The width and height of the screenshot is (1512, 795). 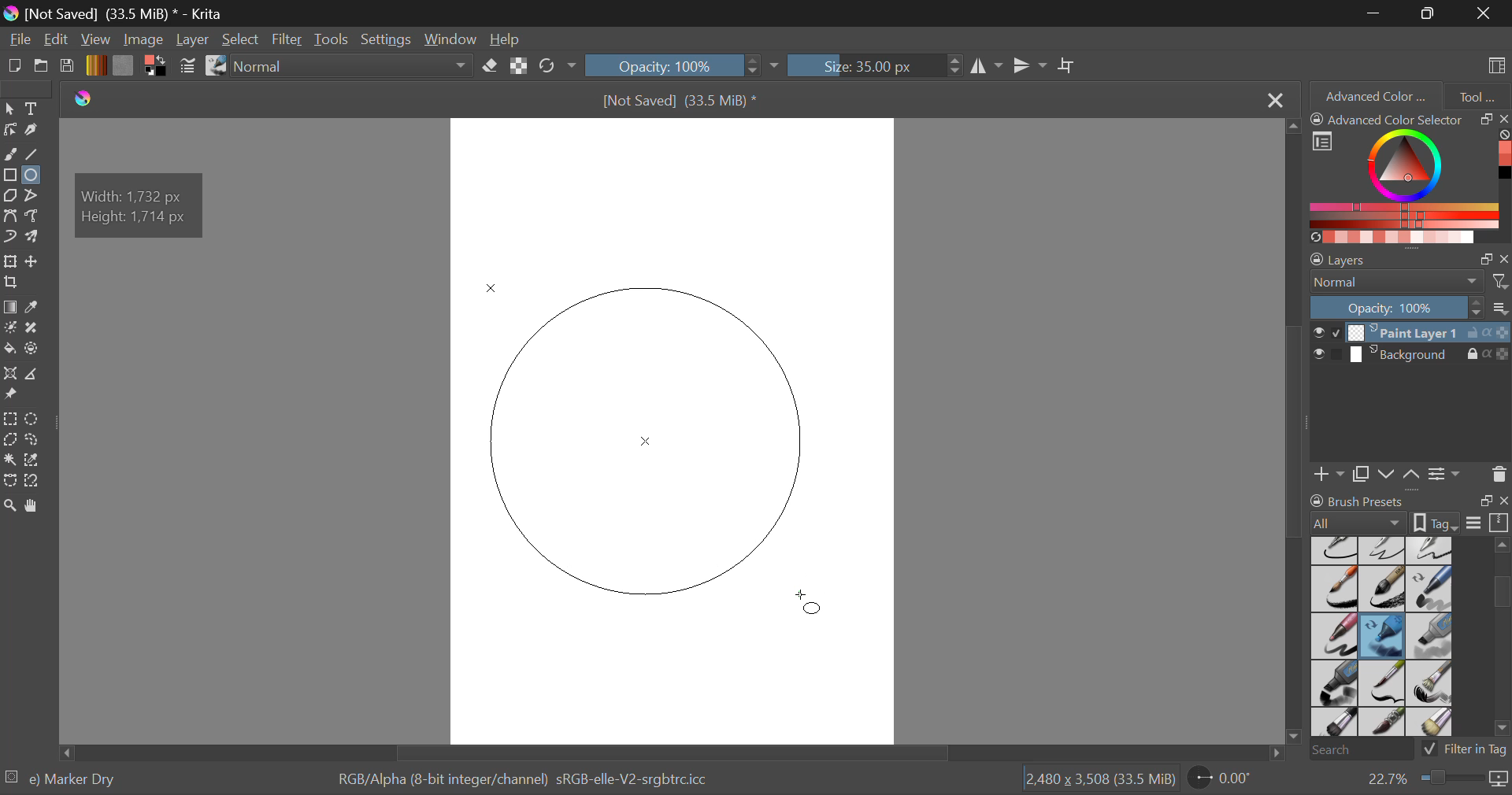 I want to click on Enclose and Fill Tool, so click(x=33, y=349).